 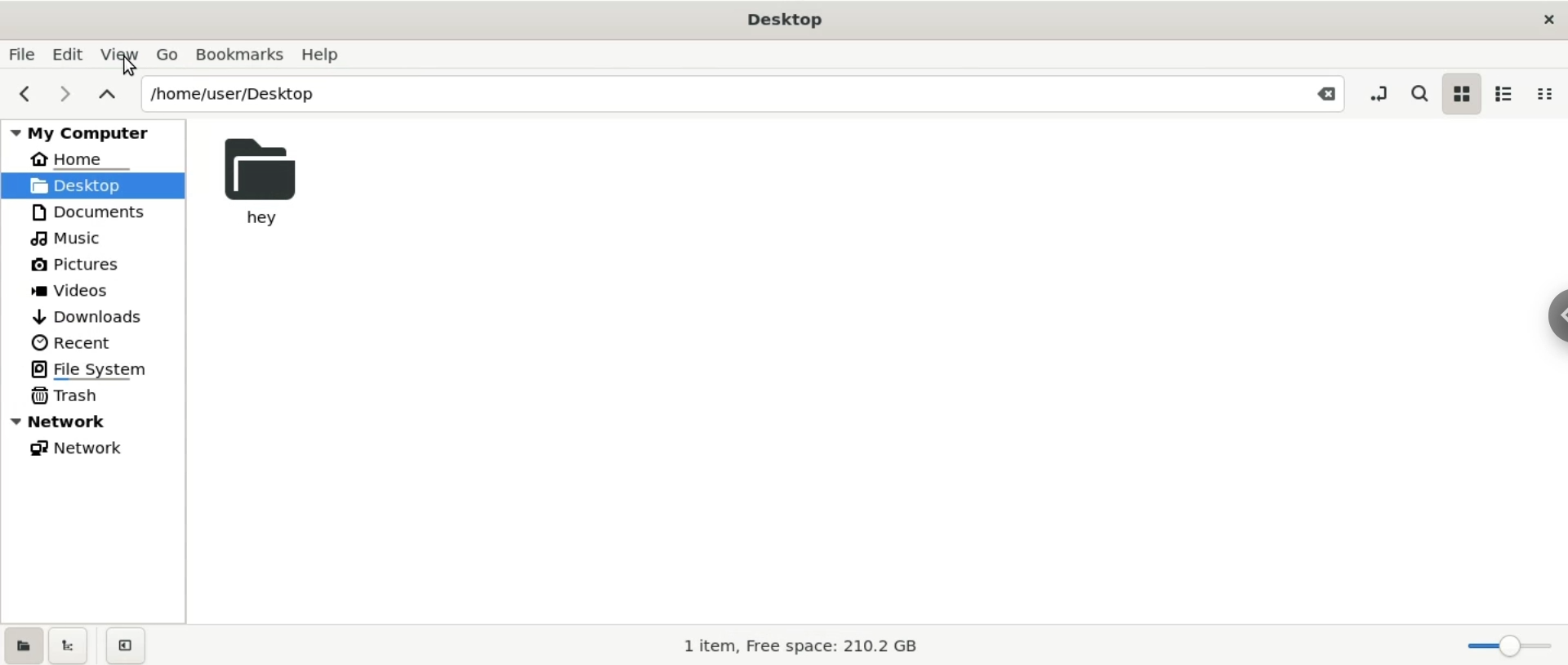 What do you see at coordinates (1422, 92) in the screenshot?
I see `search` at bounding box center [1422, 92].